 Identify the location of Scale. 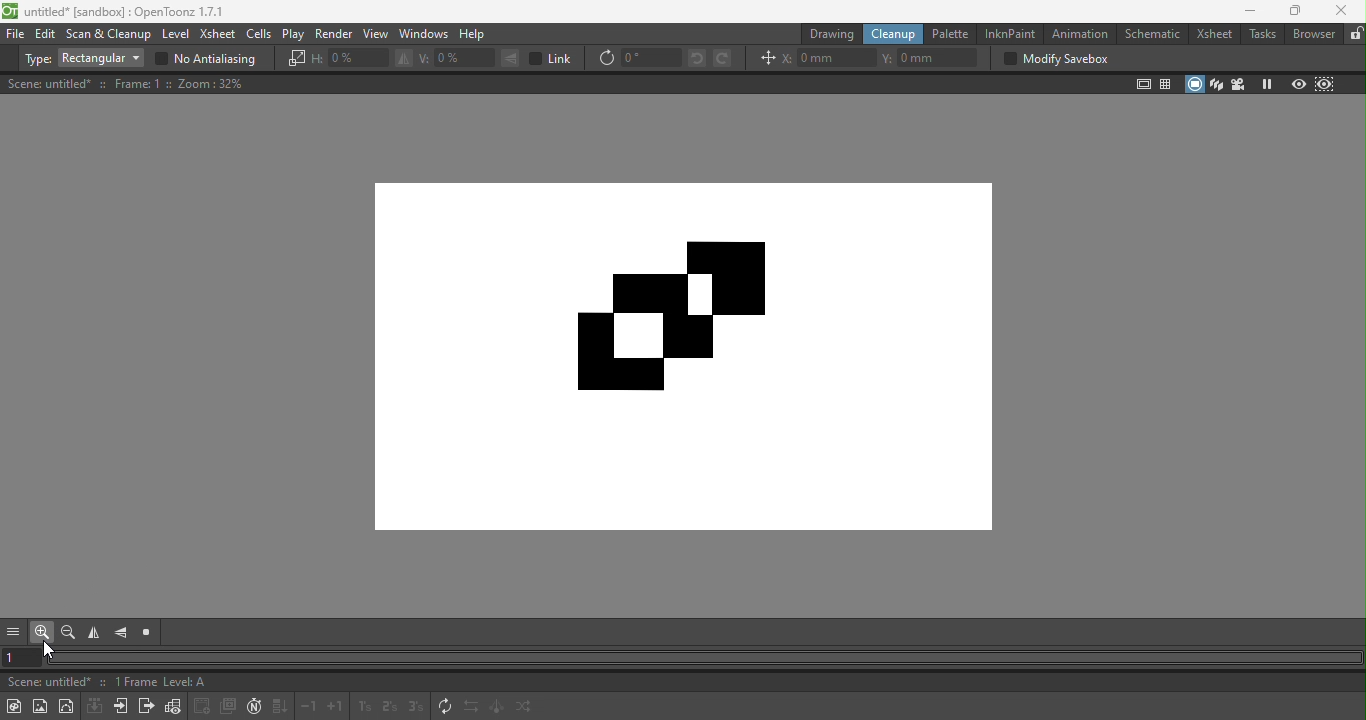
(295, 60).